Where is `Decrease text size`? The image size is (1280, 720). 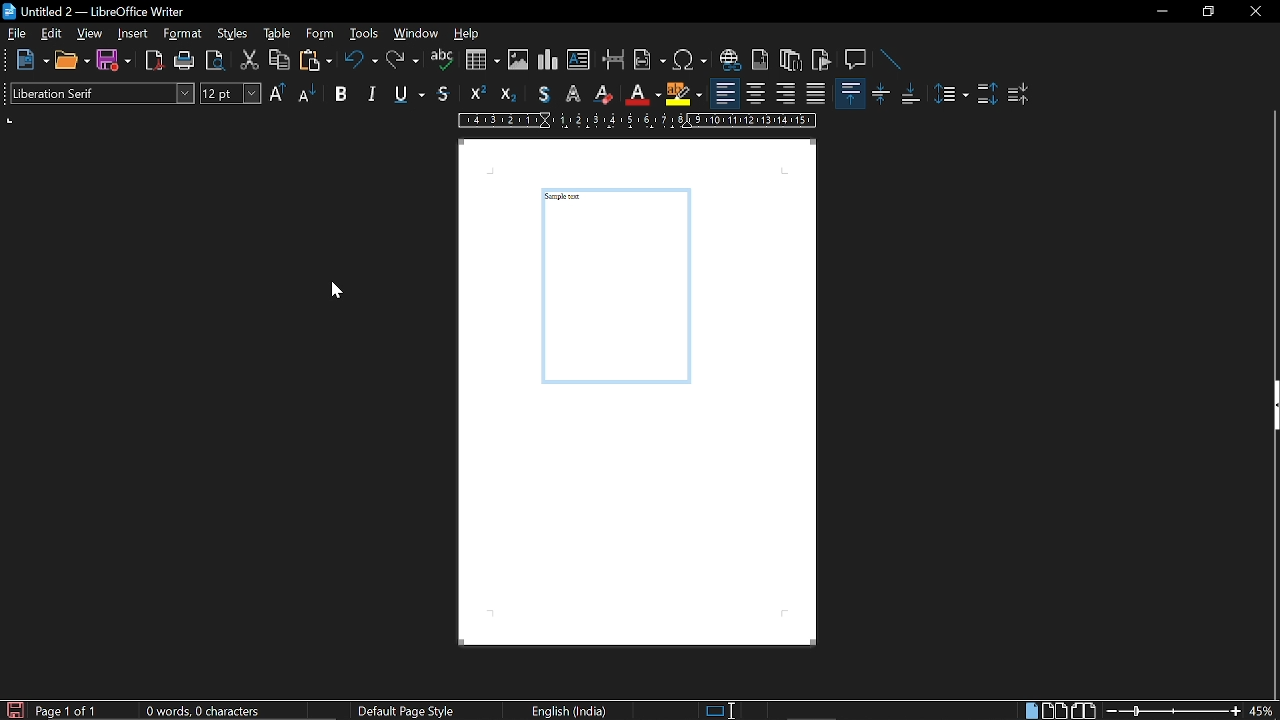
Decrease text size is located at coordinates (308, 93).